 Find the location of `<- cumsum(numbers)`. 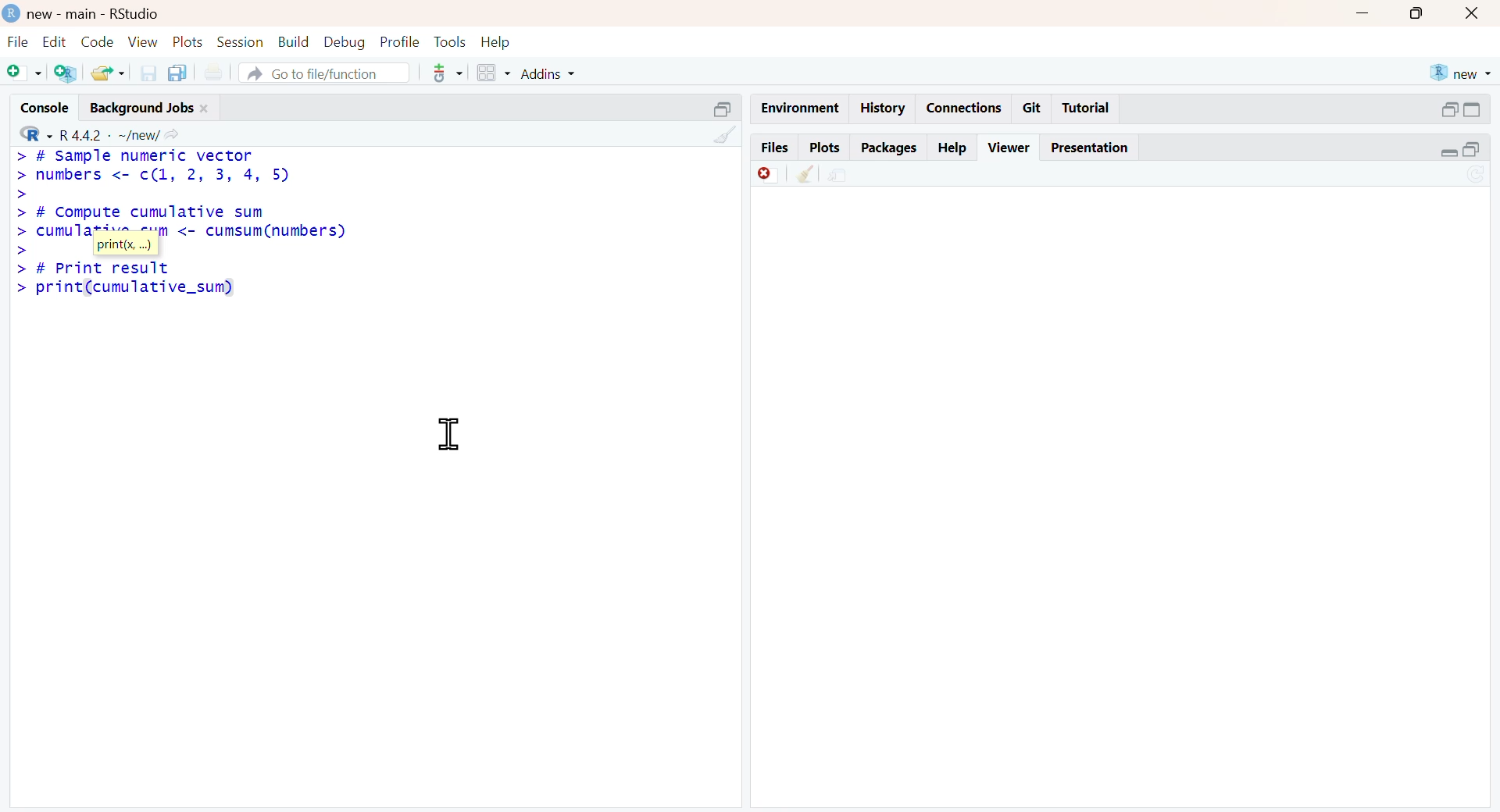

<- cumsum(numbers) is located at coordinates (262, 233).